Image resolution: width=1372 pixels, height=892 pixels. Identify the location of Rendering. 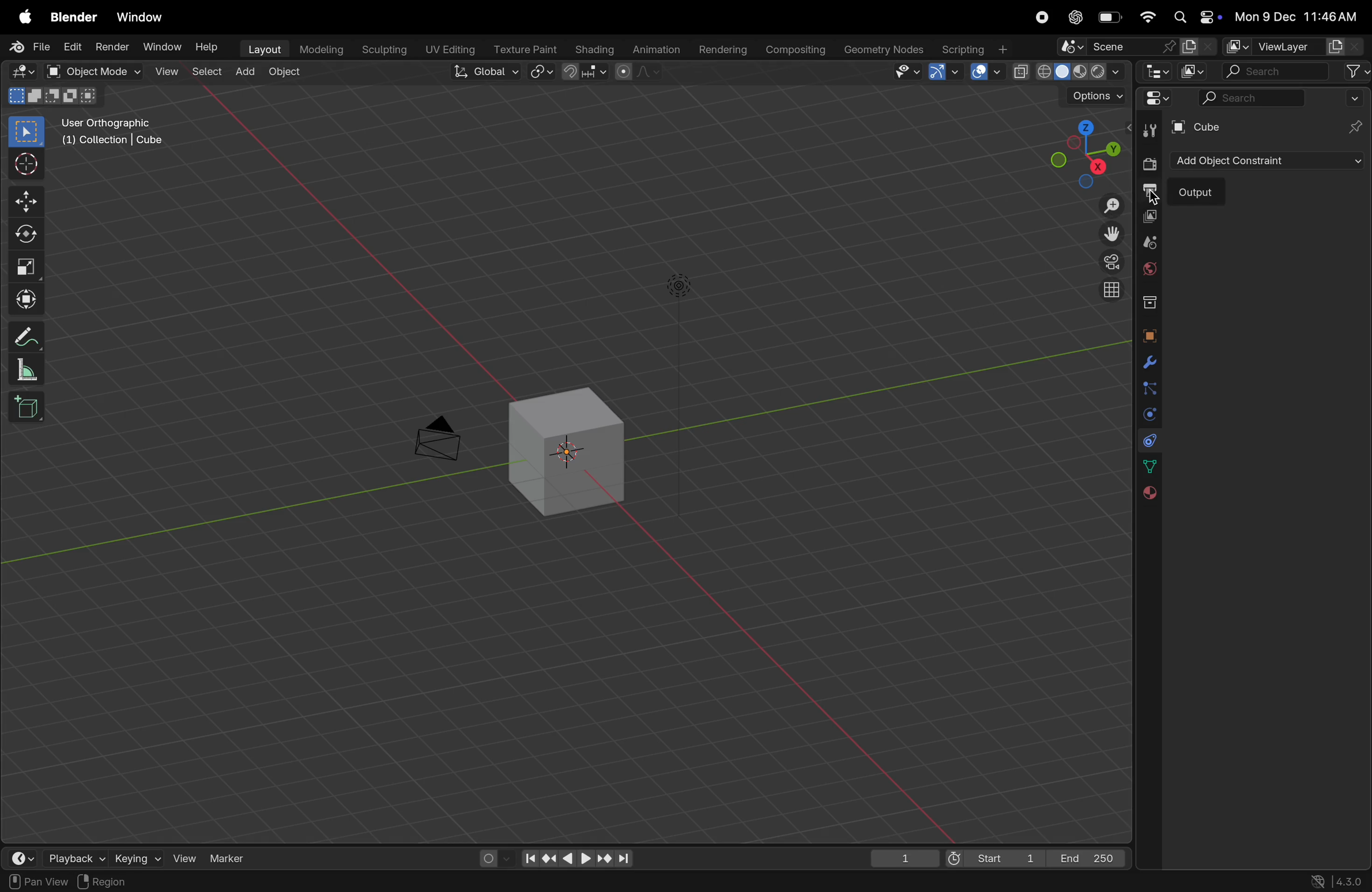
(726, 48).